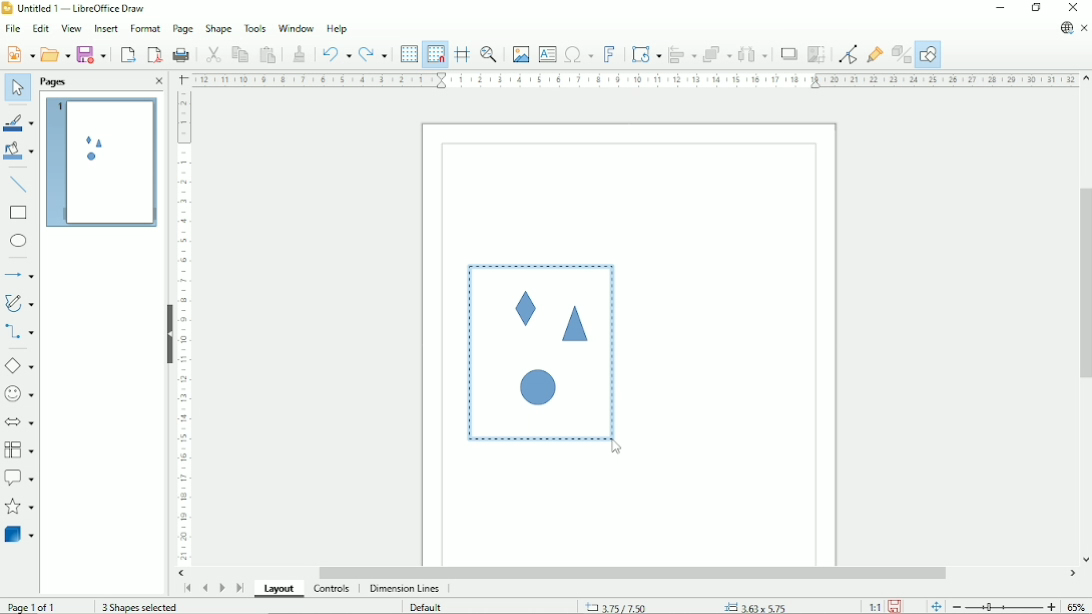  I want to click on Close, so click(1074, 8).